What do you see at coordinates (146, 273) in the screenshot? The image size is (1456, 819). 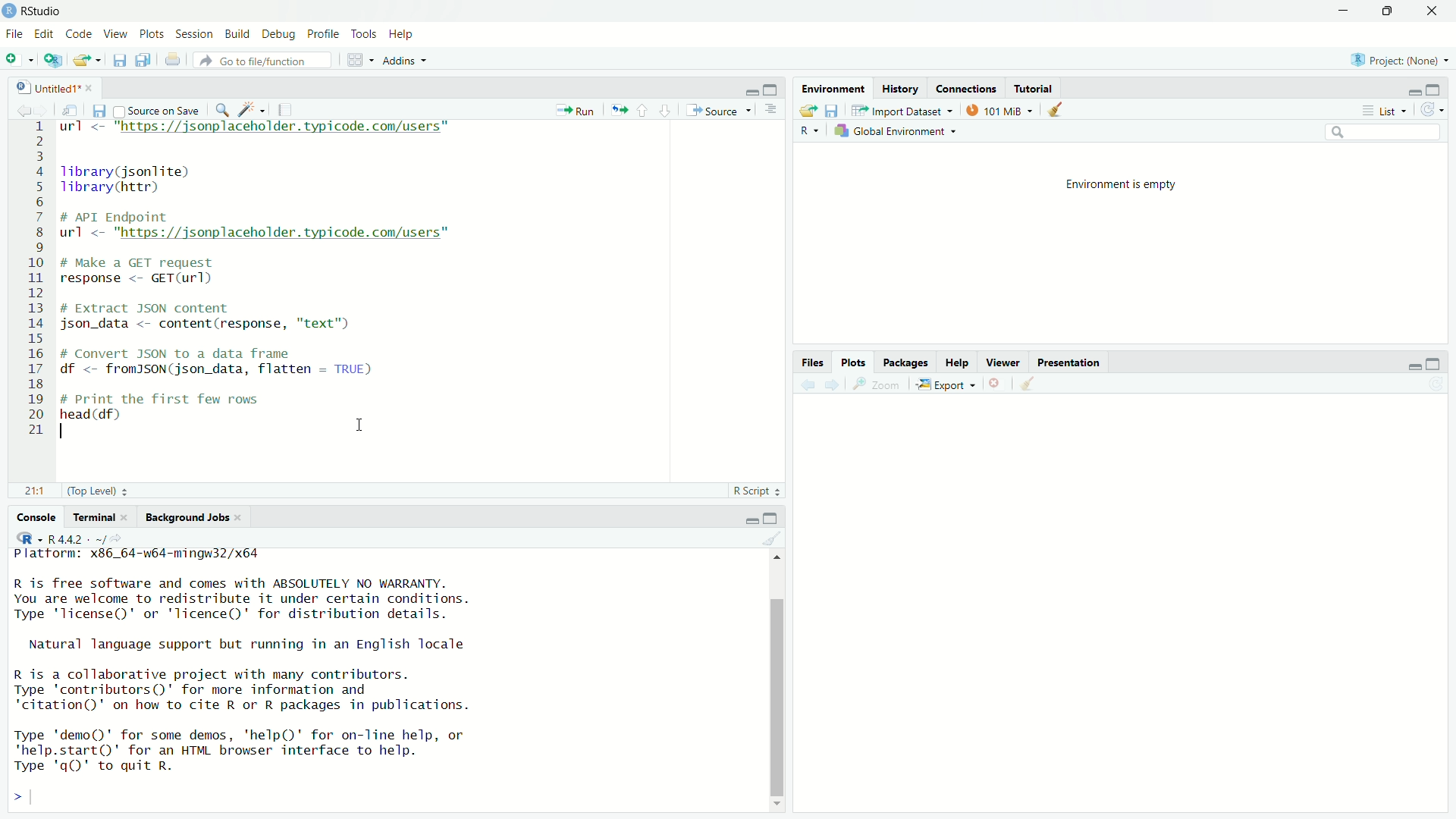 I see `# Make a GET request
response <- GET(url)` at bounding box center [146, 273].